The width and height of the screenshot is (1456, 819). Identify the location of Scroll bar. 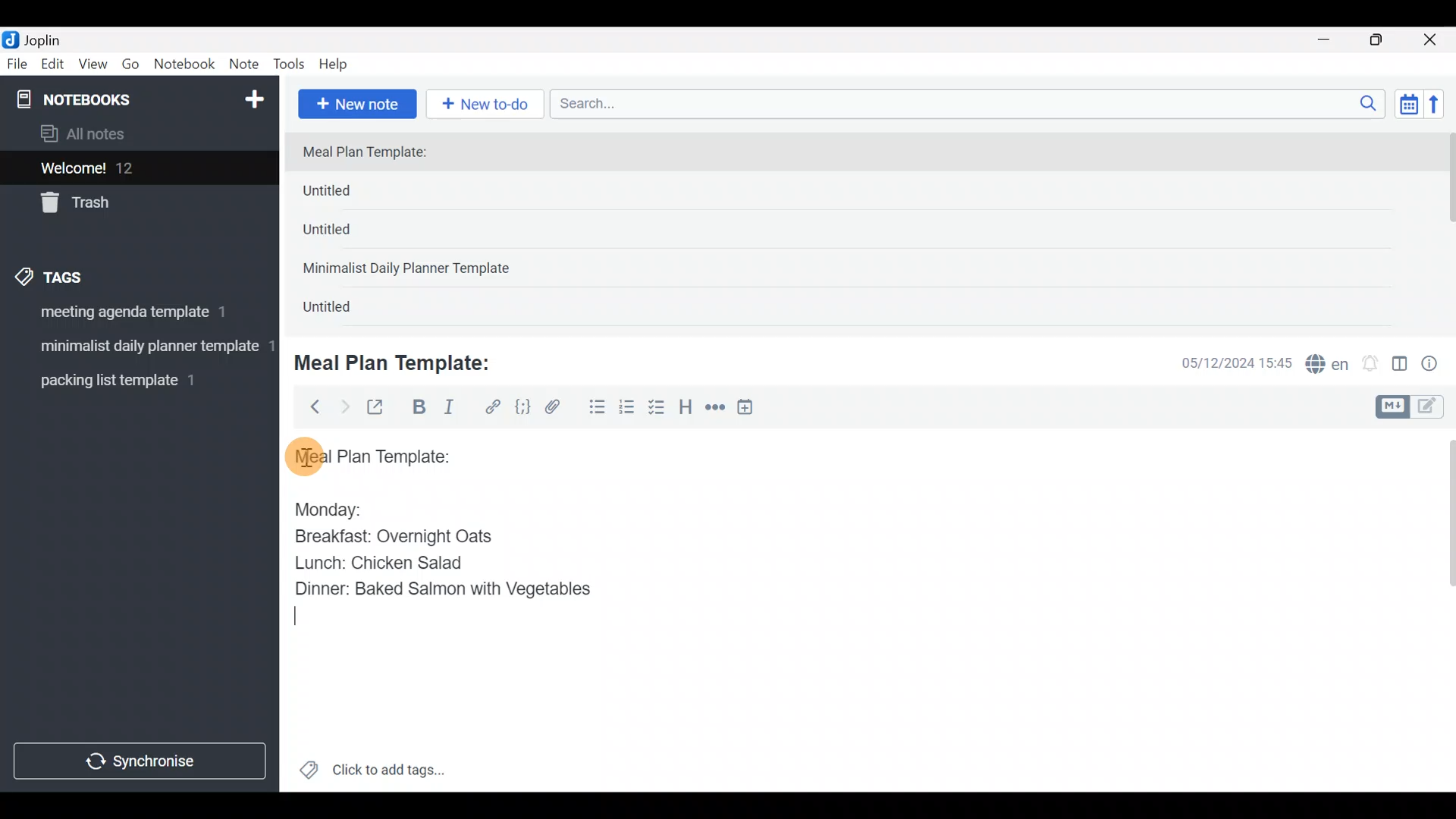
(1447, 229).